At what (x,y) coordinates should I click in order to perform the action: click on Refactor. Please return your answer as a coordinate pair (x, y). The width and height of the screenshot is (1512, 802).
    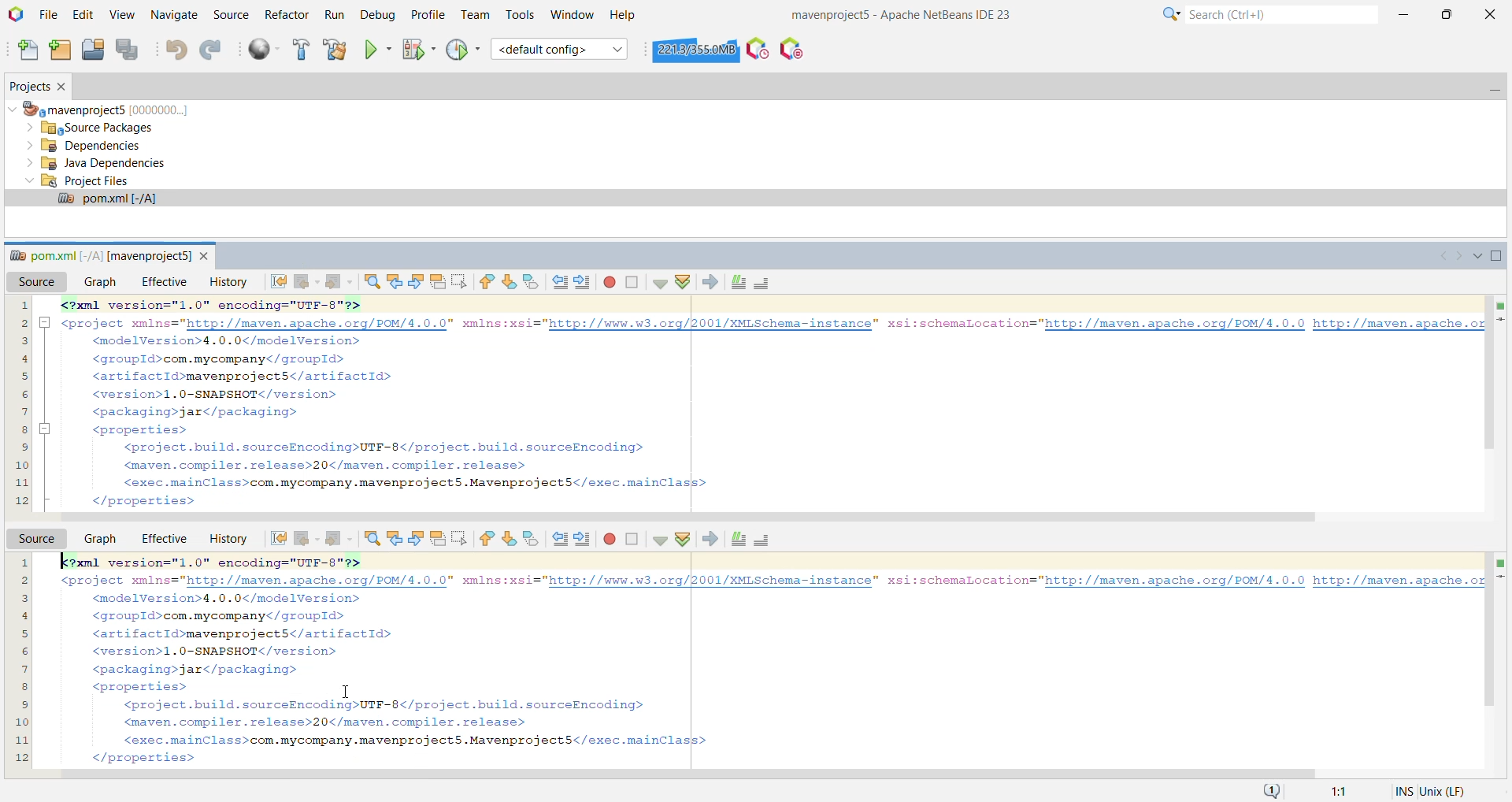
    Looking at the image, I should click on (286, 13).